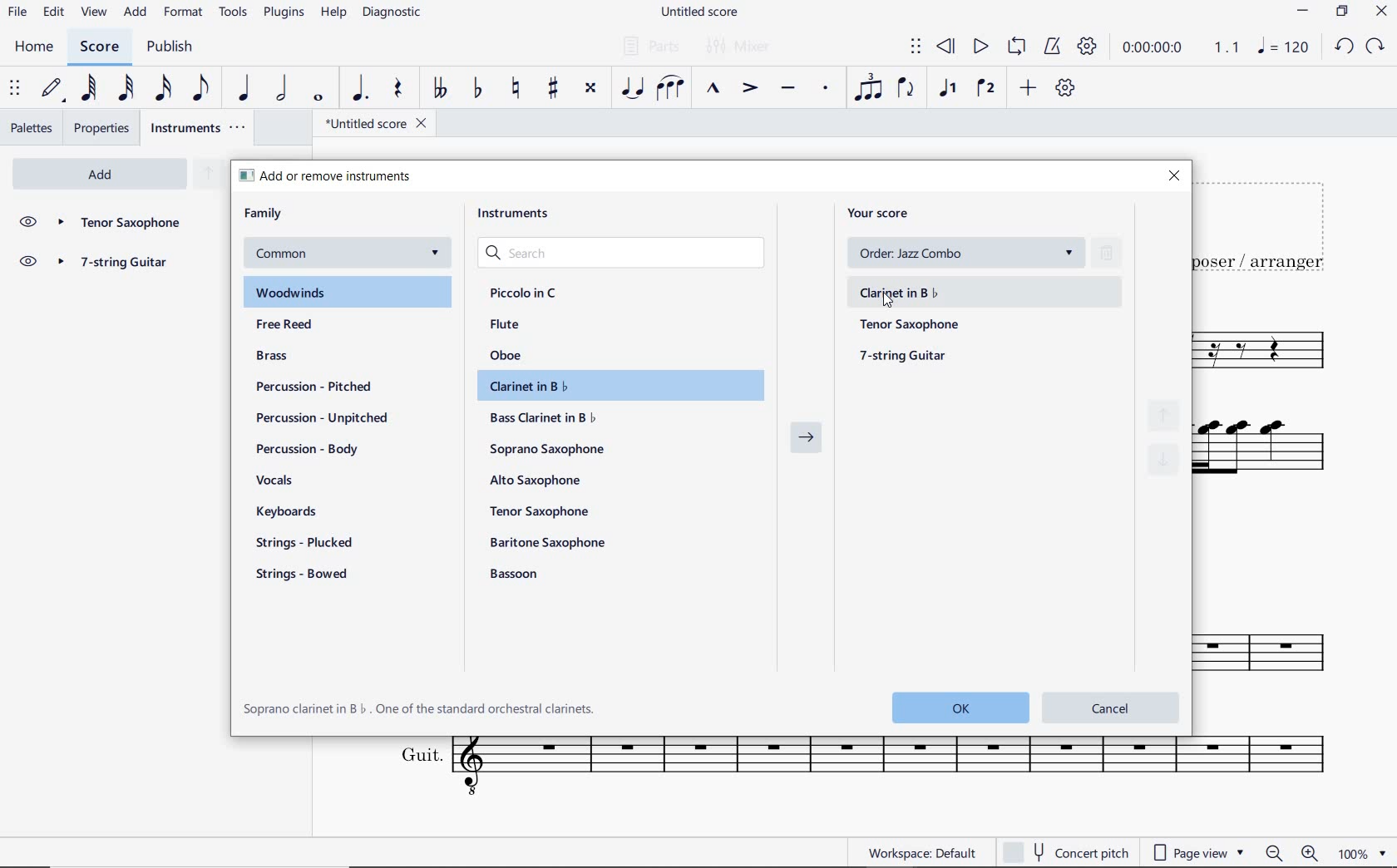  Describe the element at coordinates (555, 90) in the screenshot. I see `TOGGLE SHARP` at that location.